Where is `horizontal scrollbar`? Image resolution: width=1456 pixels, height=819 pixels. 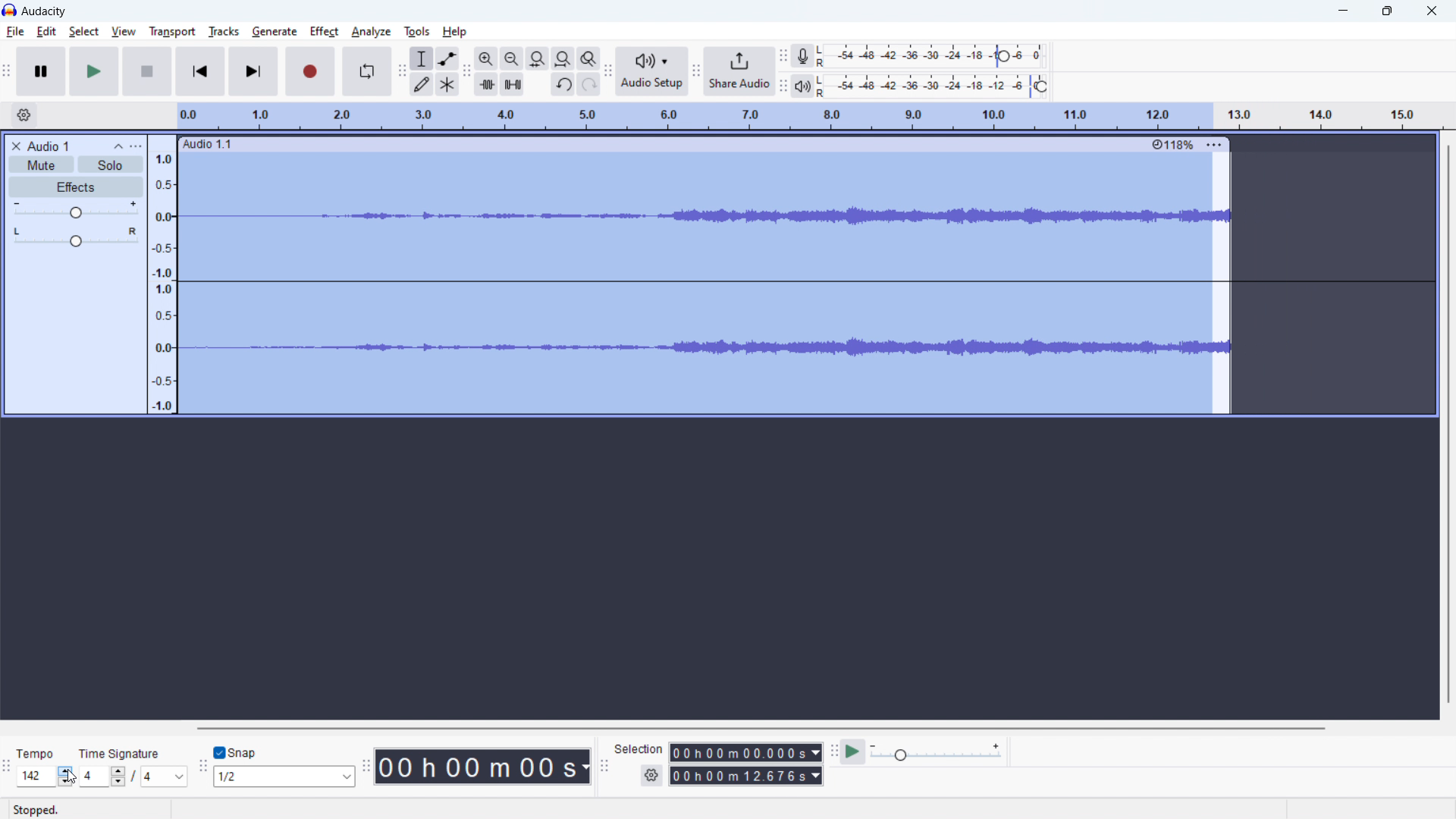
horizontal scrollbar is located at coordinates (767, 728).